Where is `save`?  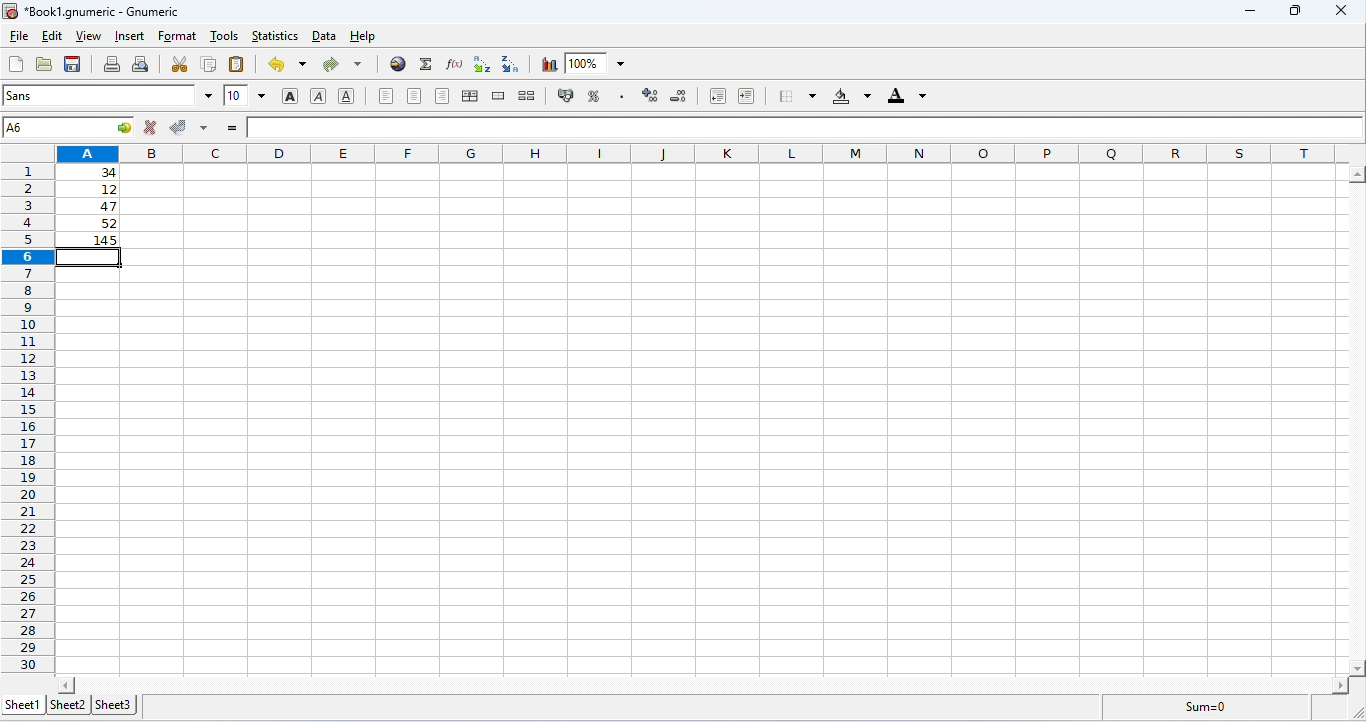
save is located at coordinates (73, 64).